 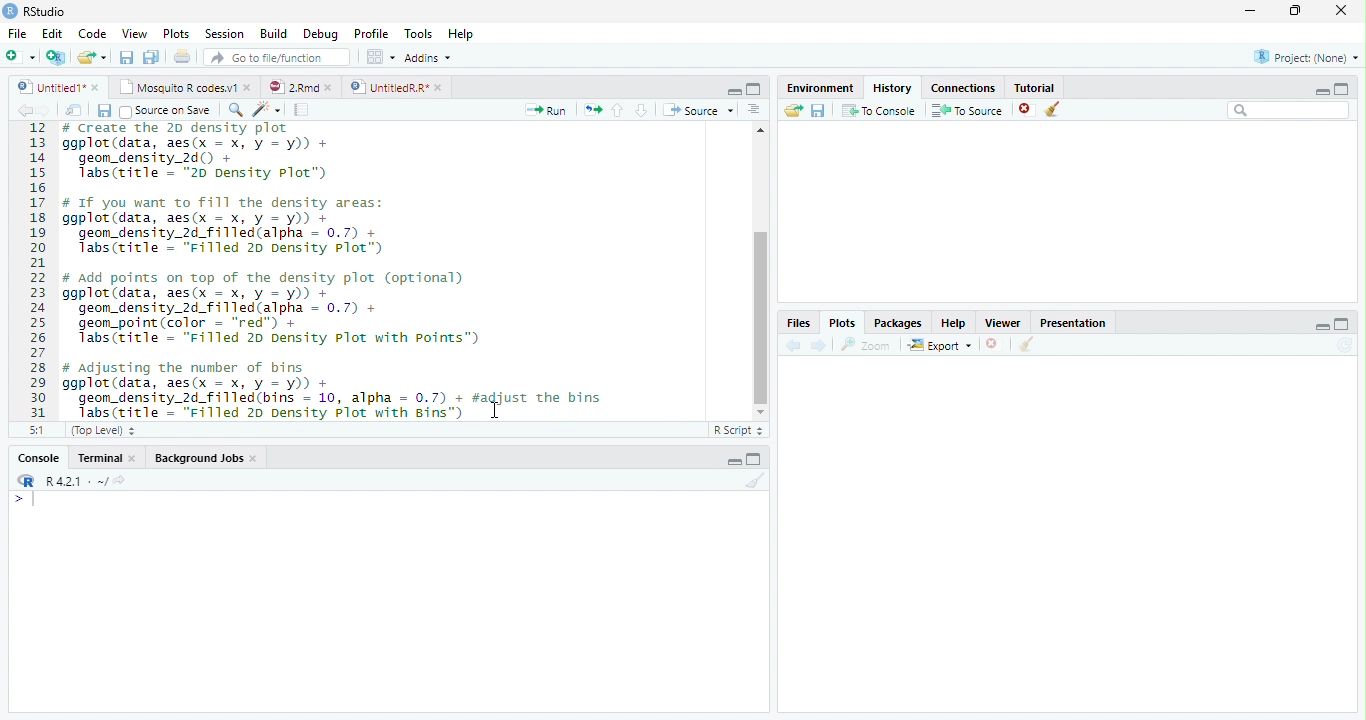 I want to click on 2Rmd, so click(x=292, y=86).